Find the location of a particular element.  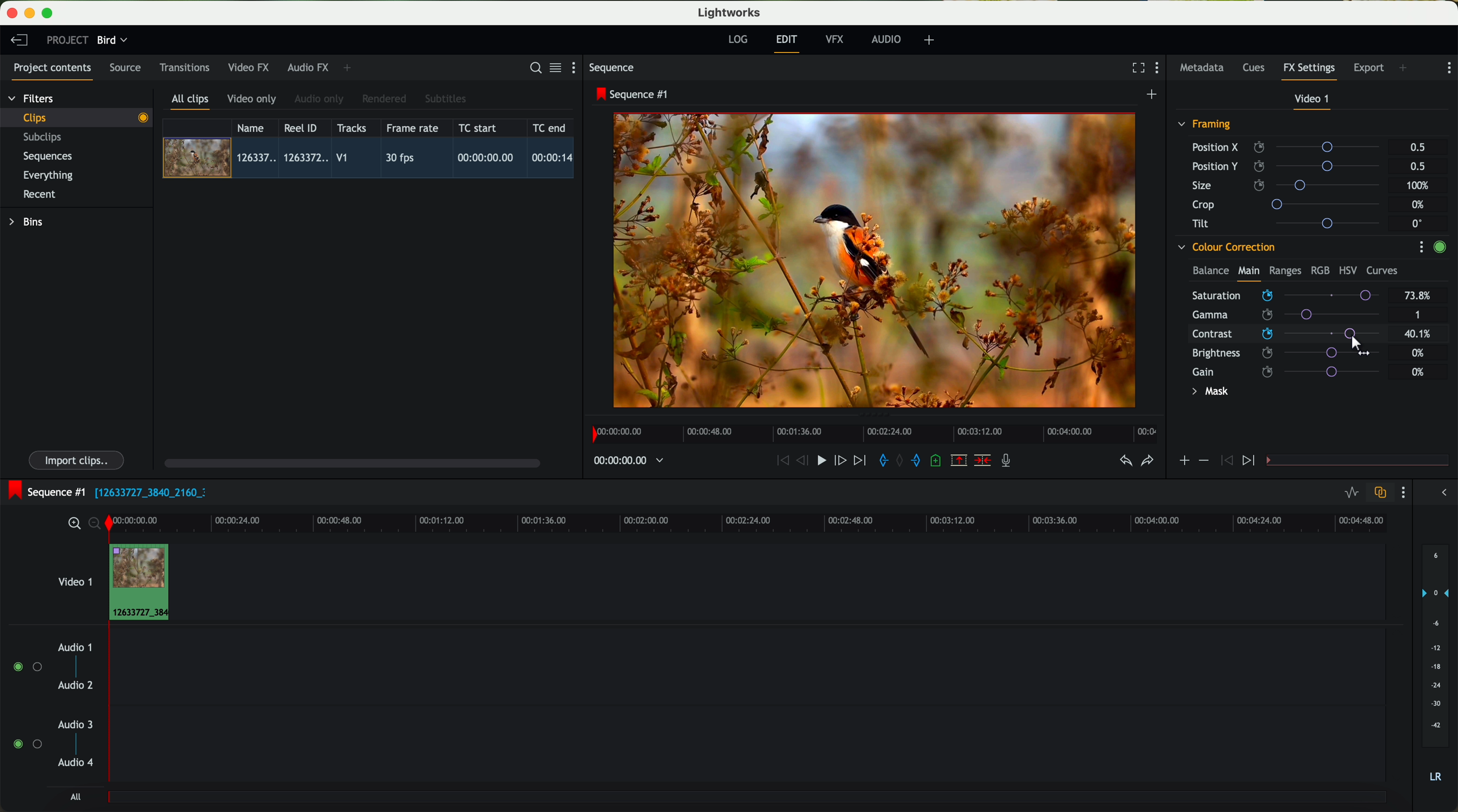

sequence #1 is located at coordinates (633, 94).